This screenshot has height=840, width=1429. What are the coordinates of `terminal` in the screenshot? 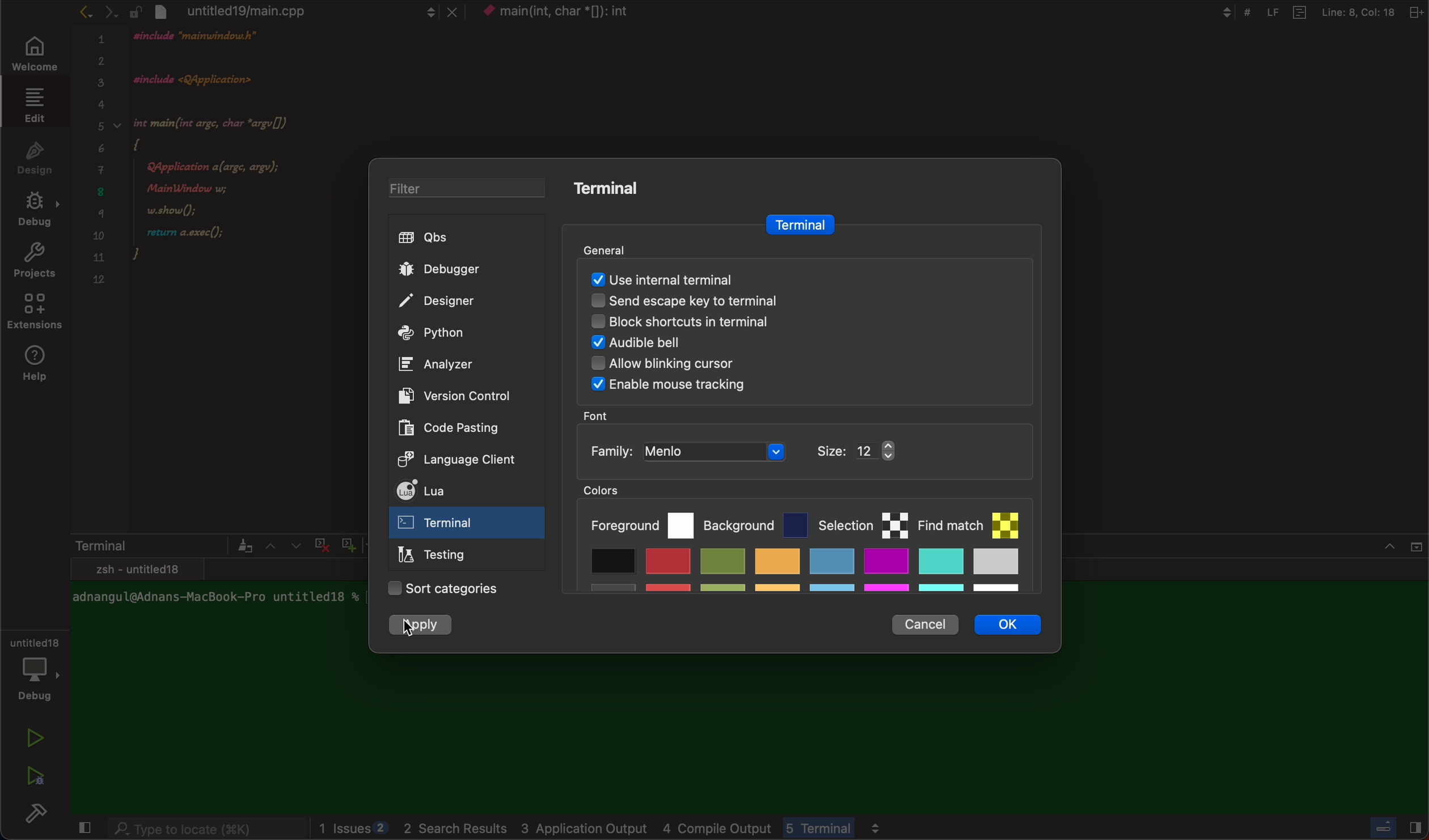 It's located at (161, 545).